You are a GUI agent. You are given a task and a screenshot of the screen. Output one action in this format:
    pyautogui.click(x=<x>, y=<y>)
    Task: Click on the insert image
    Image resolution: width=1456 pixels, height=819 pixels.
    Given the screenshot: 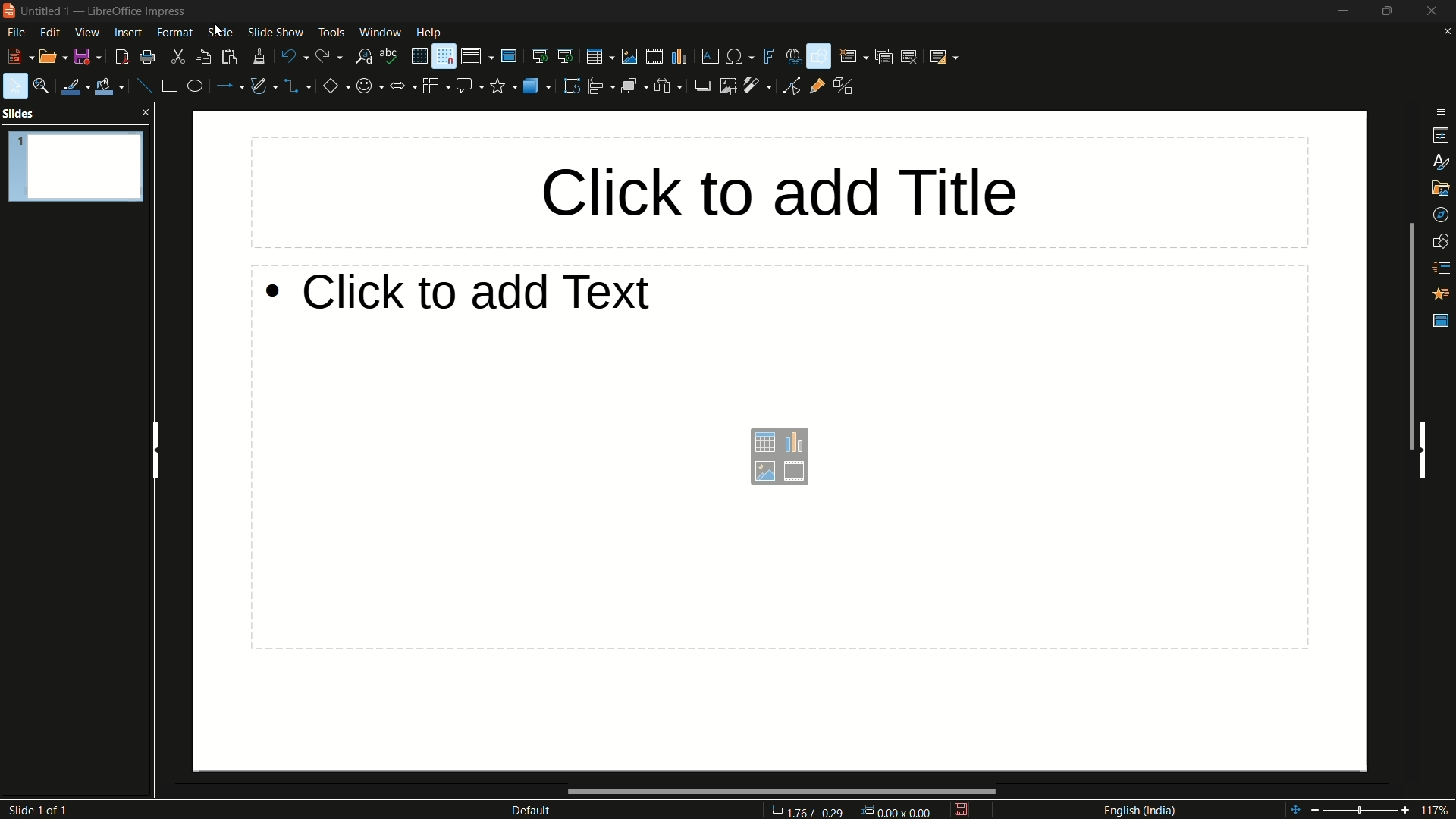 What is the action you would take?
    pyautogui.click(x=630, y=55)
    